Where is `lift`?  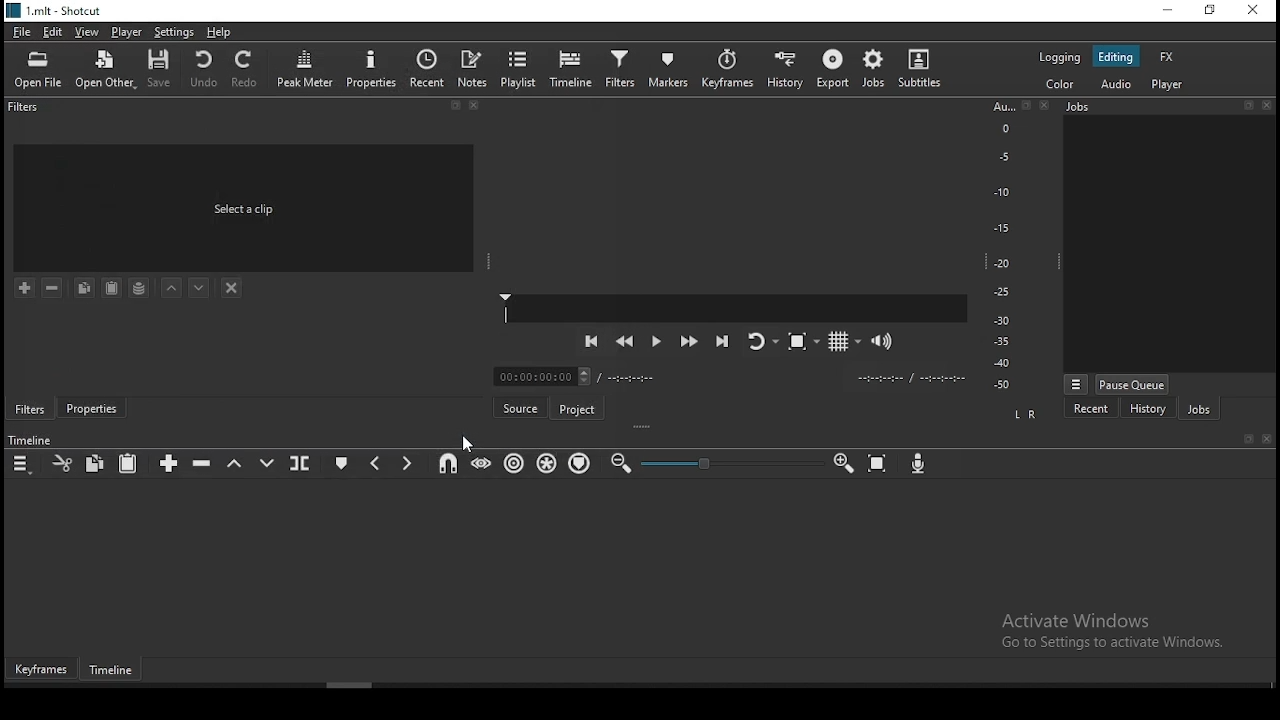
lift is located at coordinates (235, 463).